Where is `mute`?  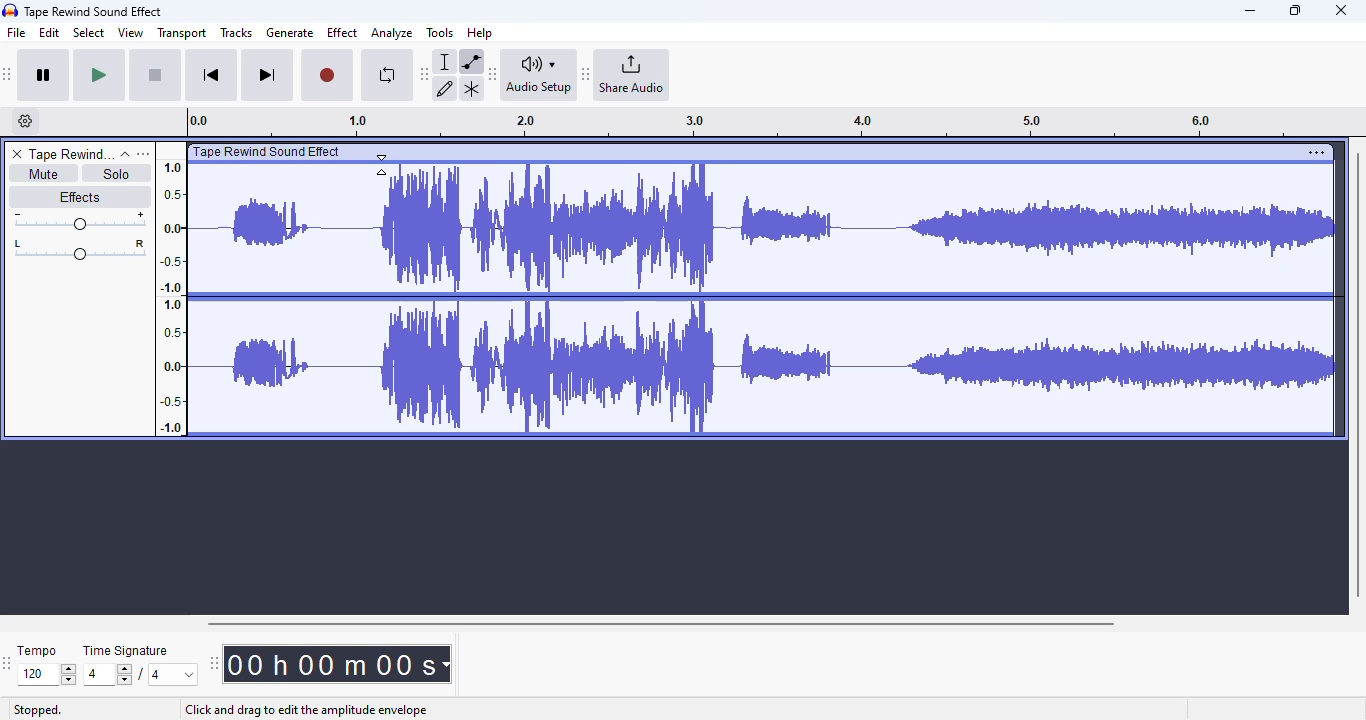 mute is located at coordinates (42, 174).